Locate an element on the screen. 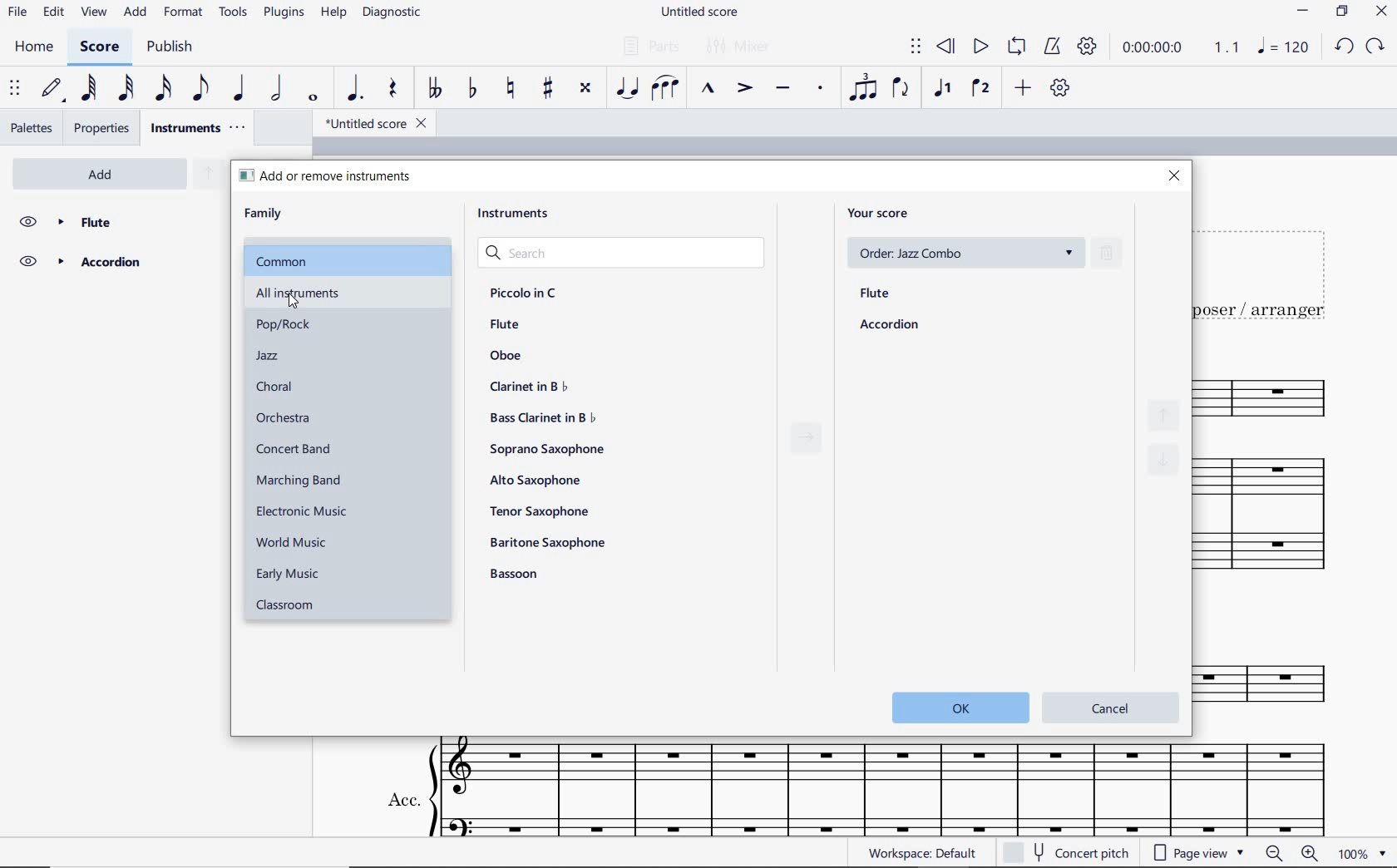  file name is located at coordinates (369, 122).